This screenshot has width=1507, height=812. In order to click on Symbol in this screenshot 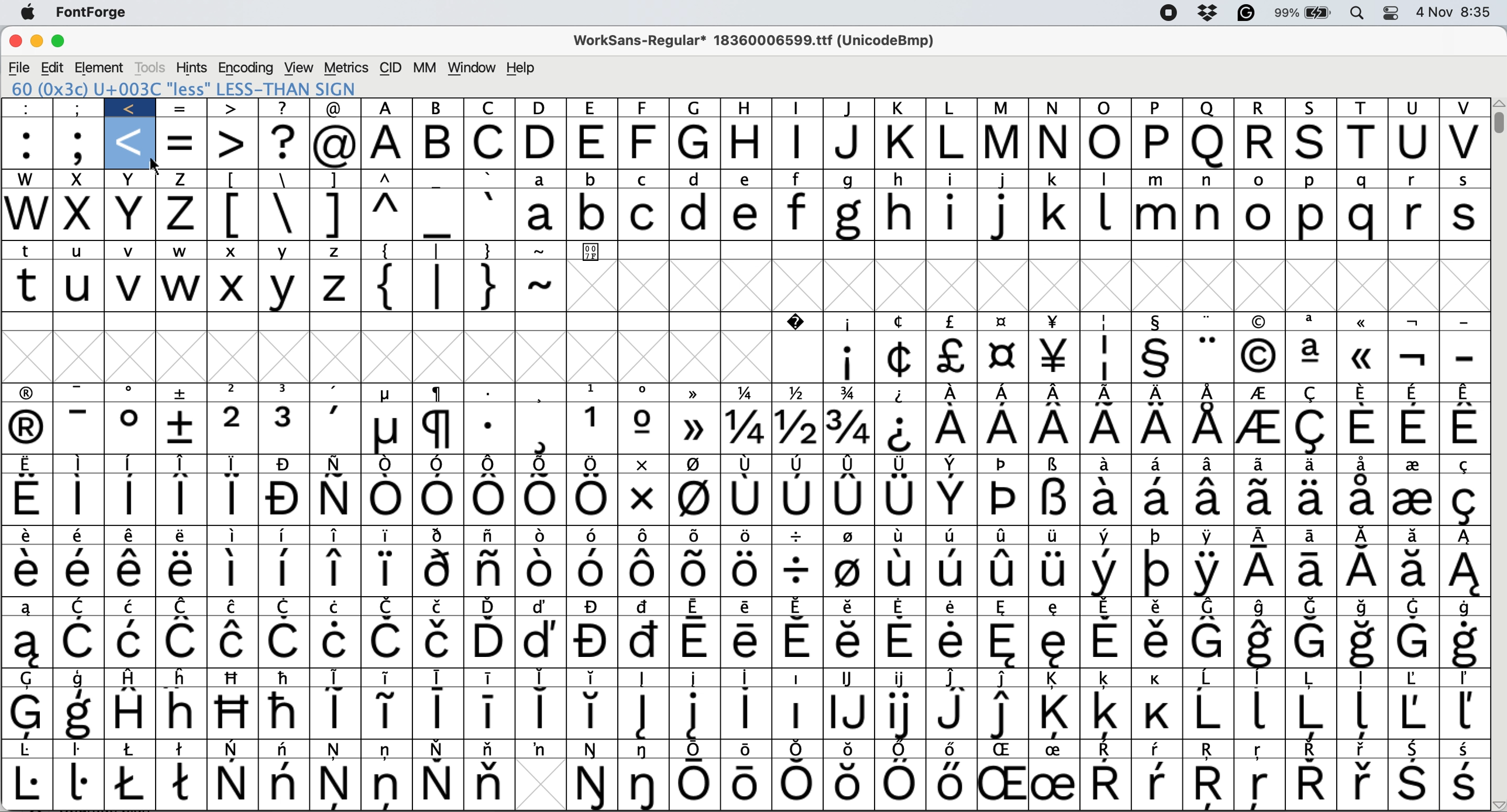, I will do `click(182, 713)`.